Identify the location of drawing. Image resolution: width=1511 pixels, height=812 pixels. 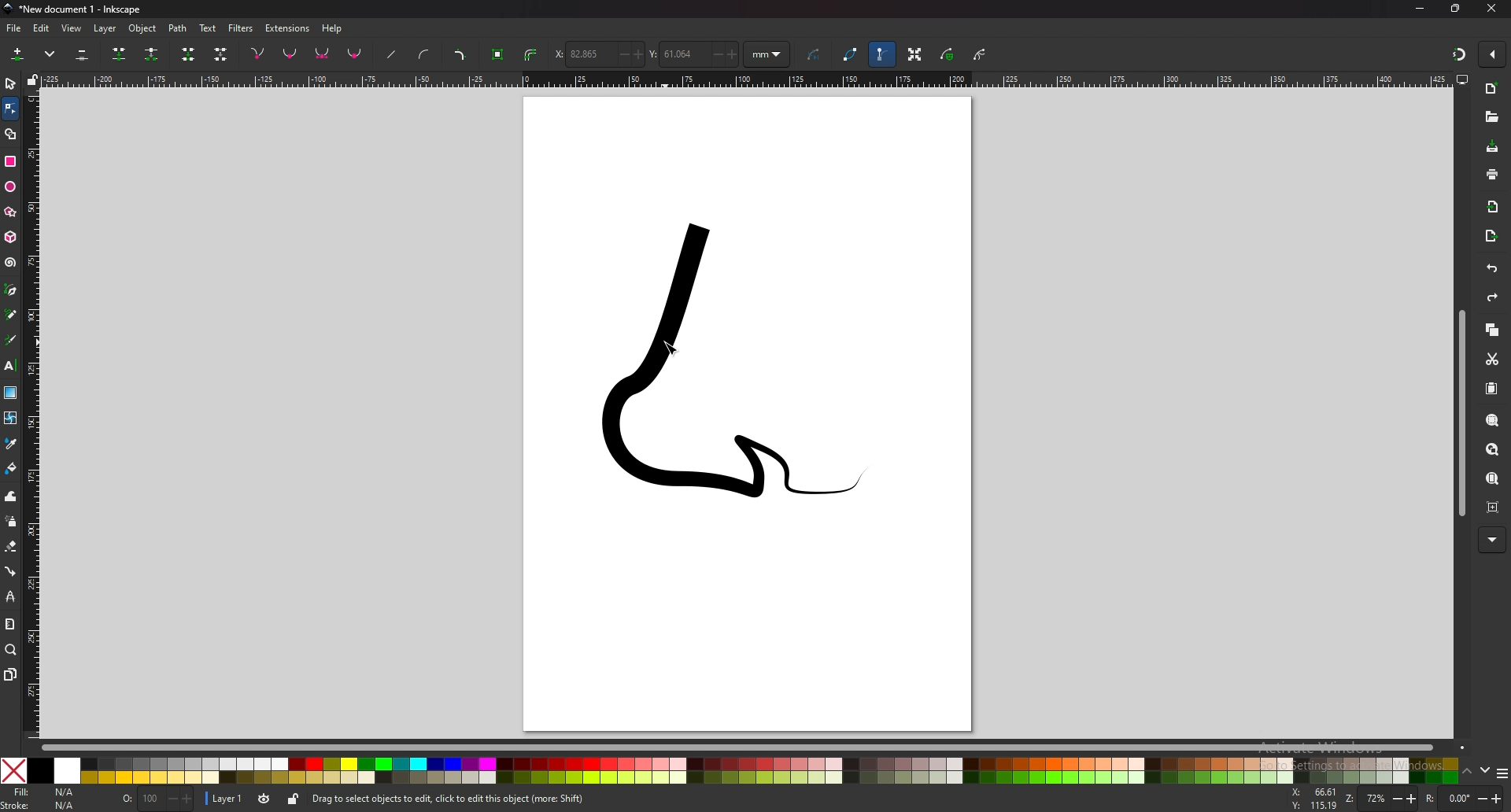
(744, 358).